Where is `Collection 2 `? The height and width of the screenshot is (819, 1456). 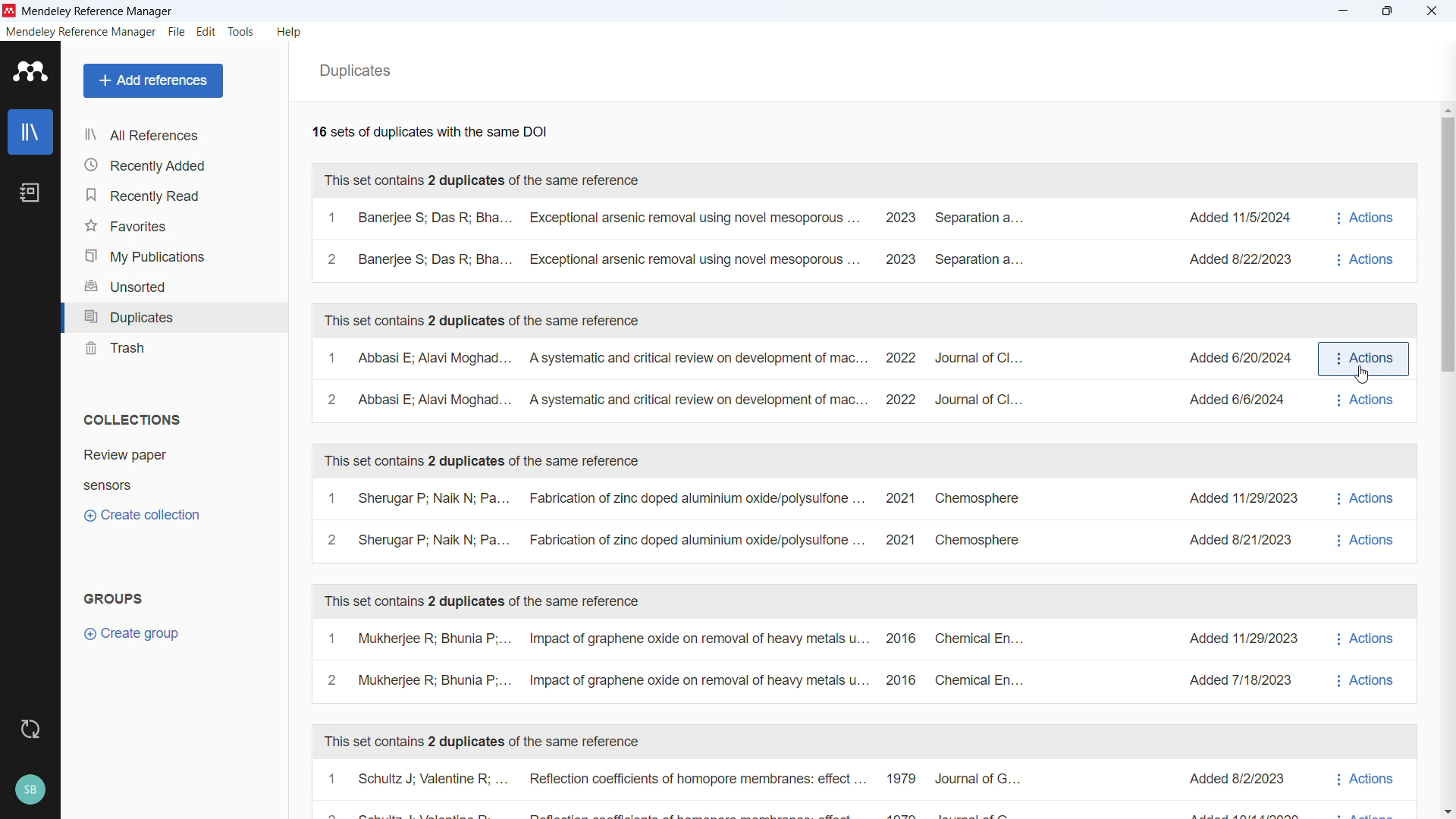 Collection 2  is located at coordinates (110, 485).